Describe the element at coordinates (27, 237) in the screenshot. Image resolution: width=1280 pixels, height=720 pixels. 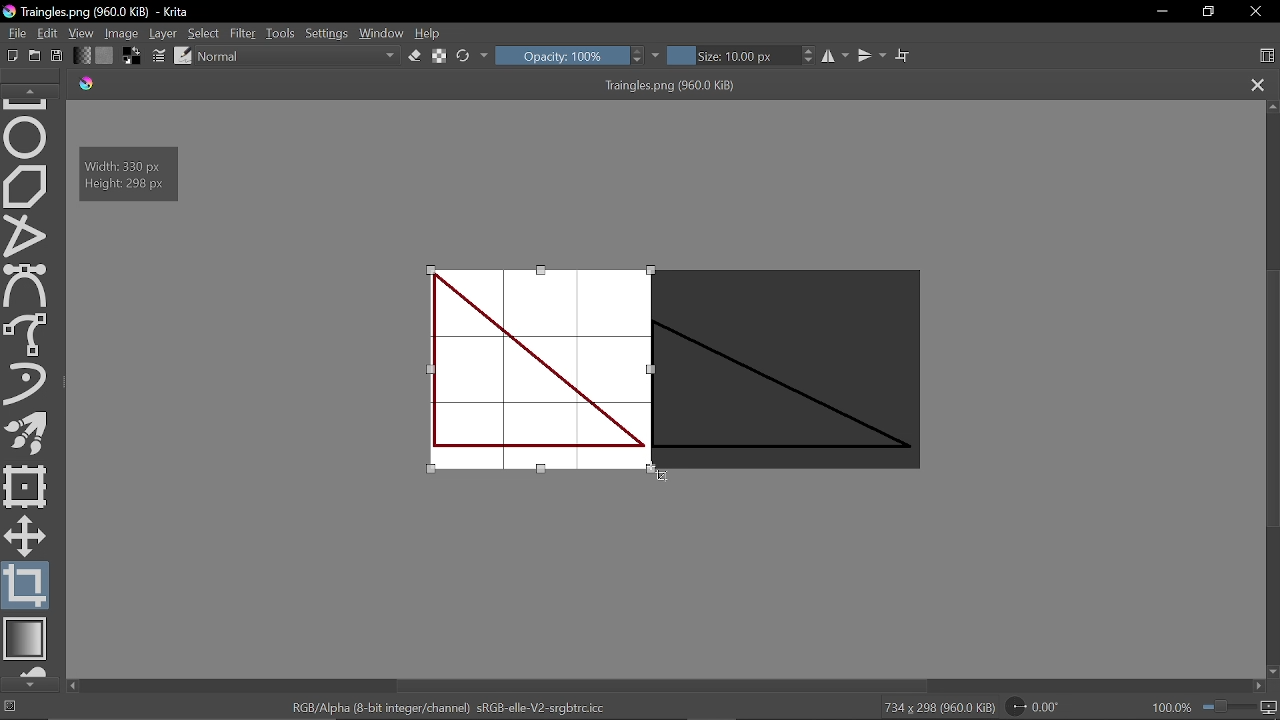
I see `Polyline tool` at that location.